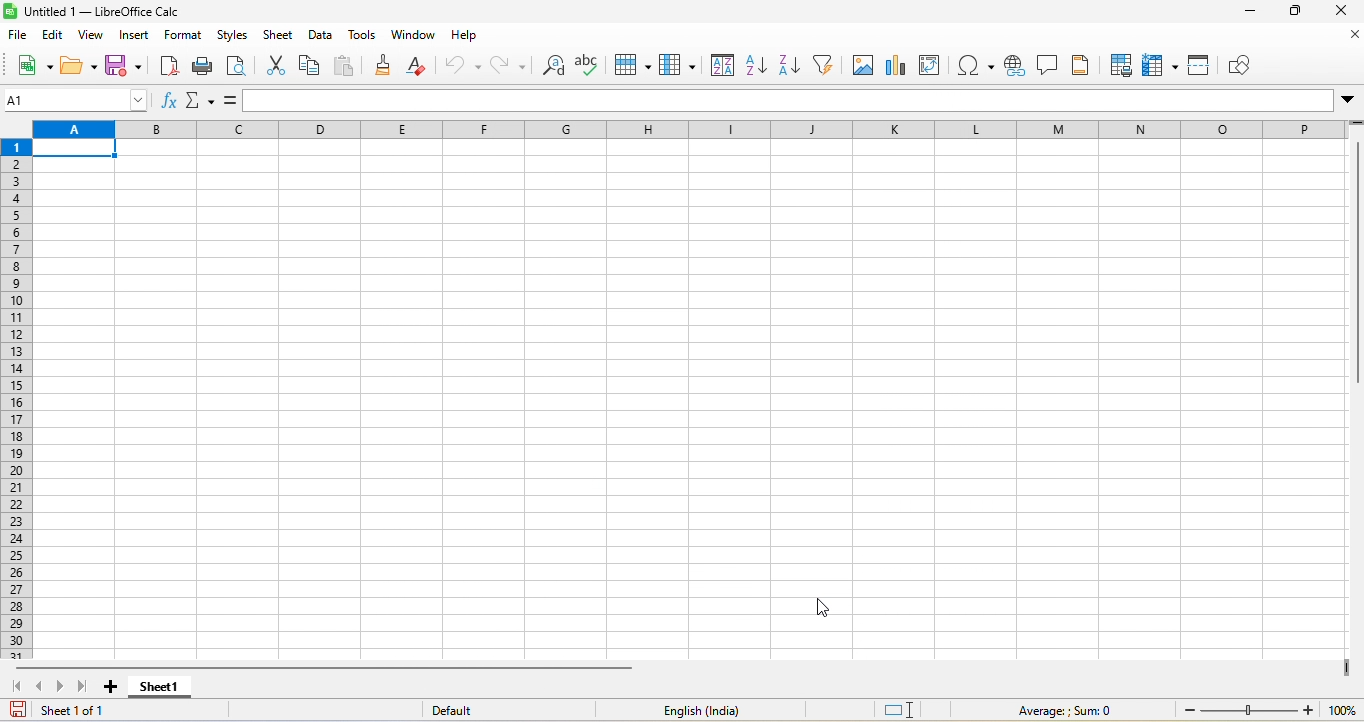 This screenshot has width=1364, height=722. What do you see at coordinates (1062, 708) in the screenshot?
I see `average: sum=0` at bounding box center [1062, 708].